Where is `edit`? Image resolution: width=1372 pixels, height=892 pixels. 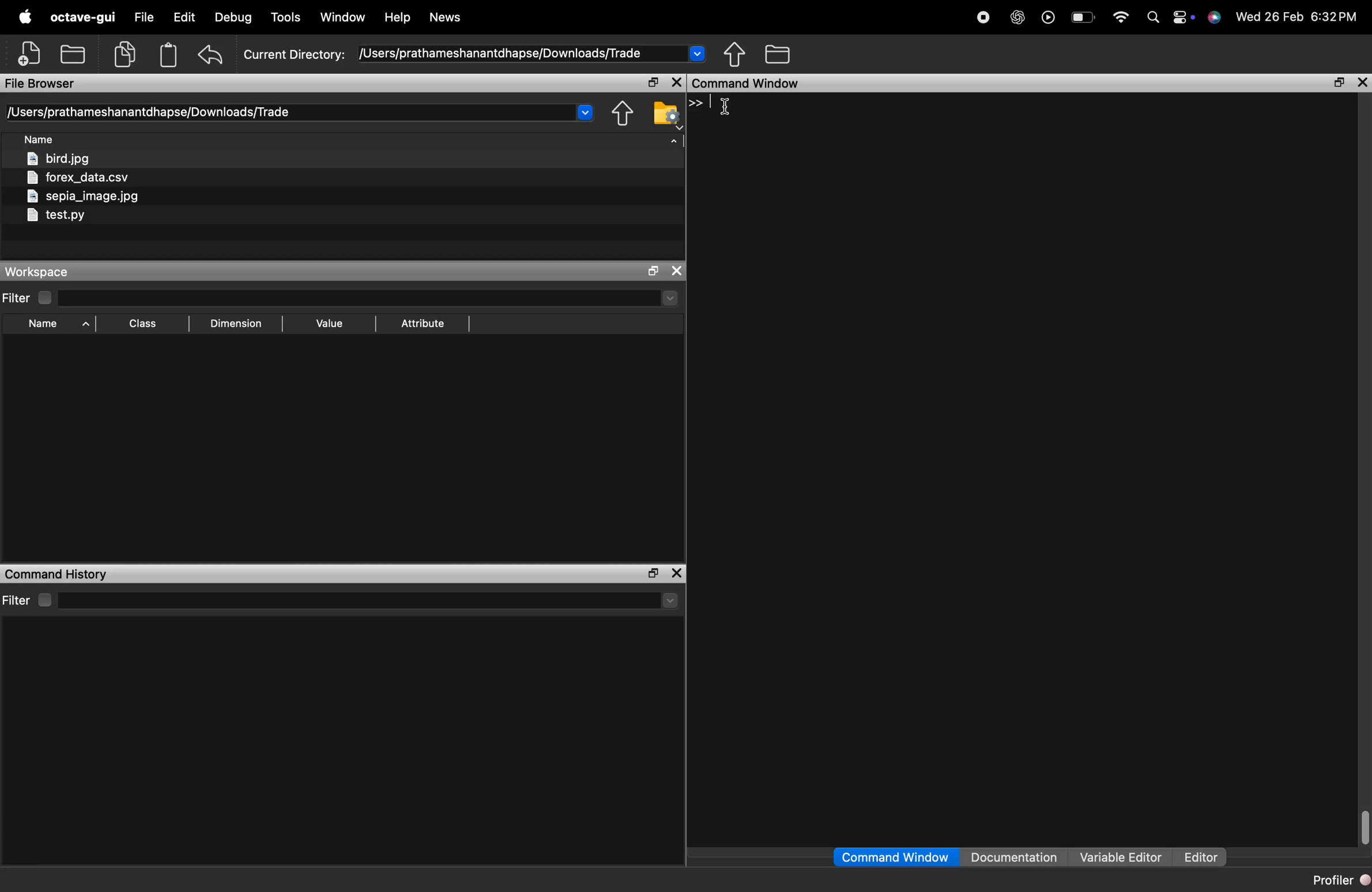
edit is located at coordinates (184, 18).